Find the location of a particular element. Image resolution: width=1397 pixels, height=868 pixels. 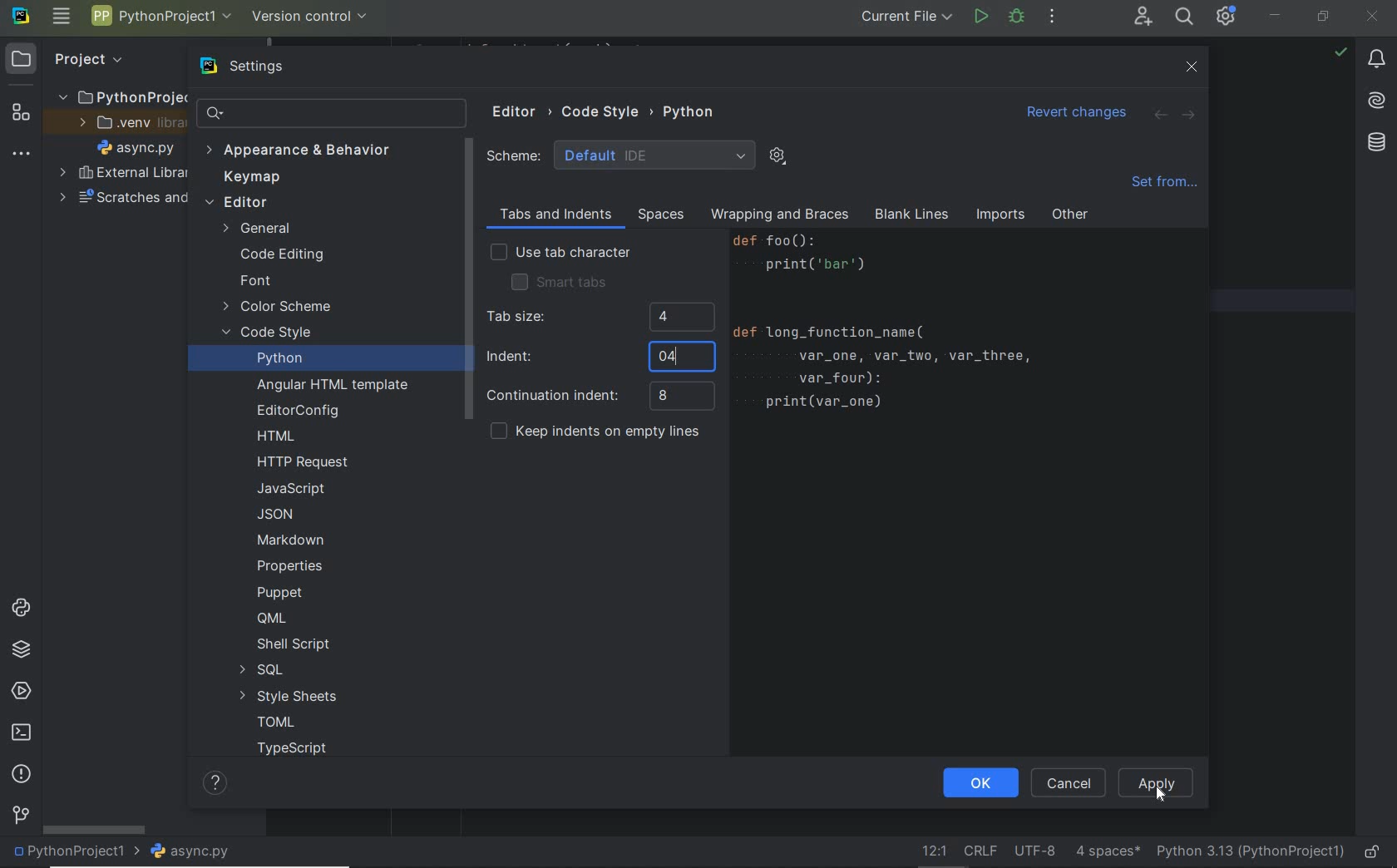

structure is located at coordinates (19, 115).